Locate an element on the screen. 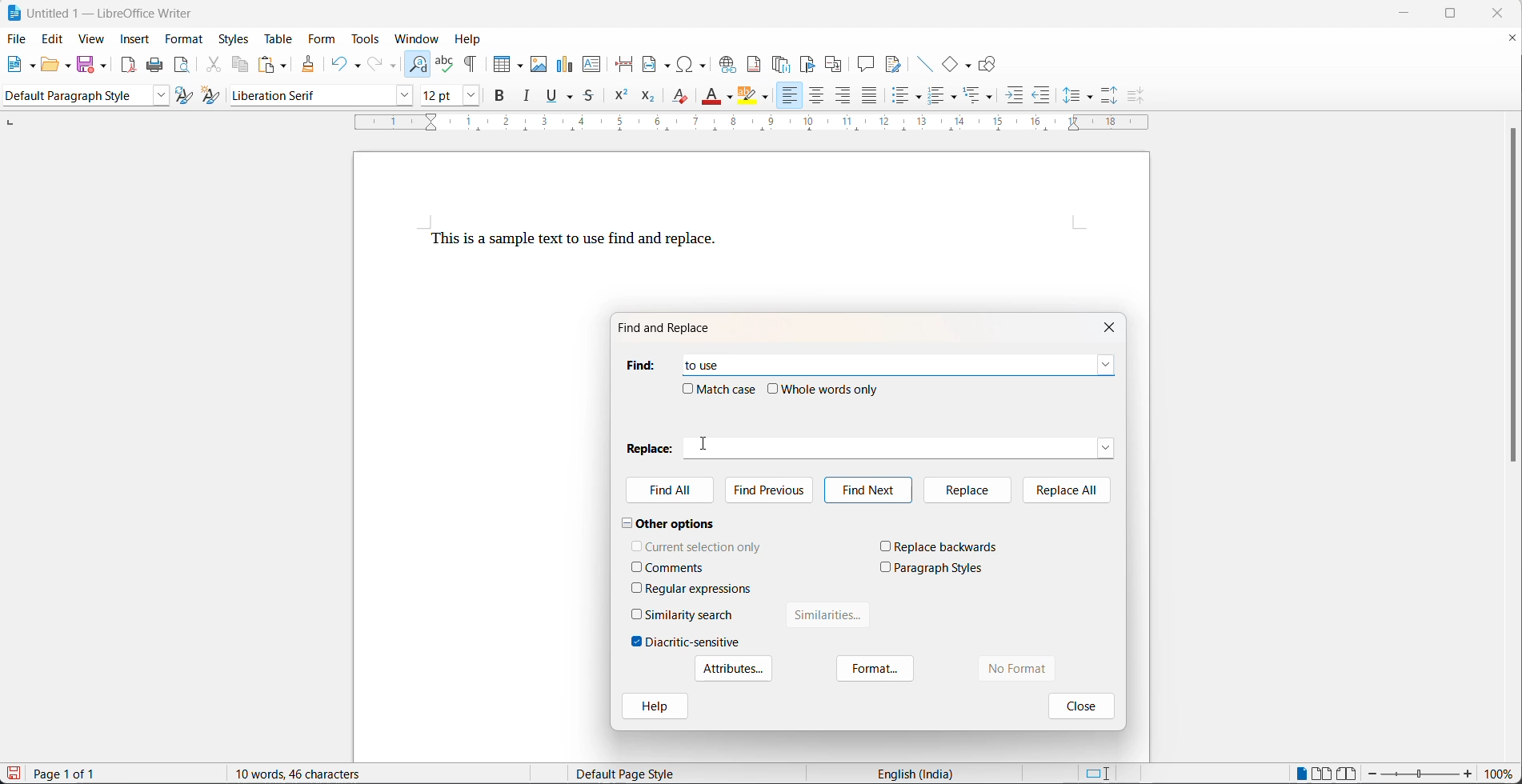 The image size is (1522, 784). close is located at coordinates (1503, 13).